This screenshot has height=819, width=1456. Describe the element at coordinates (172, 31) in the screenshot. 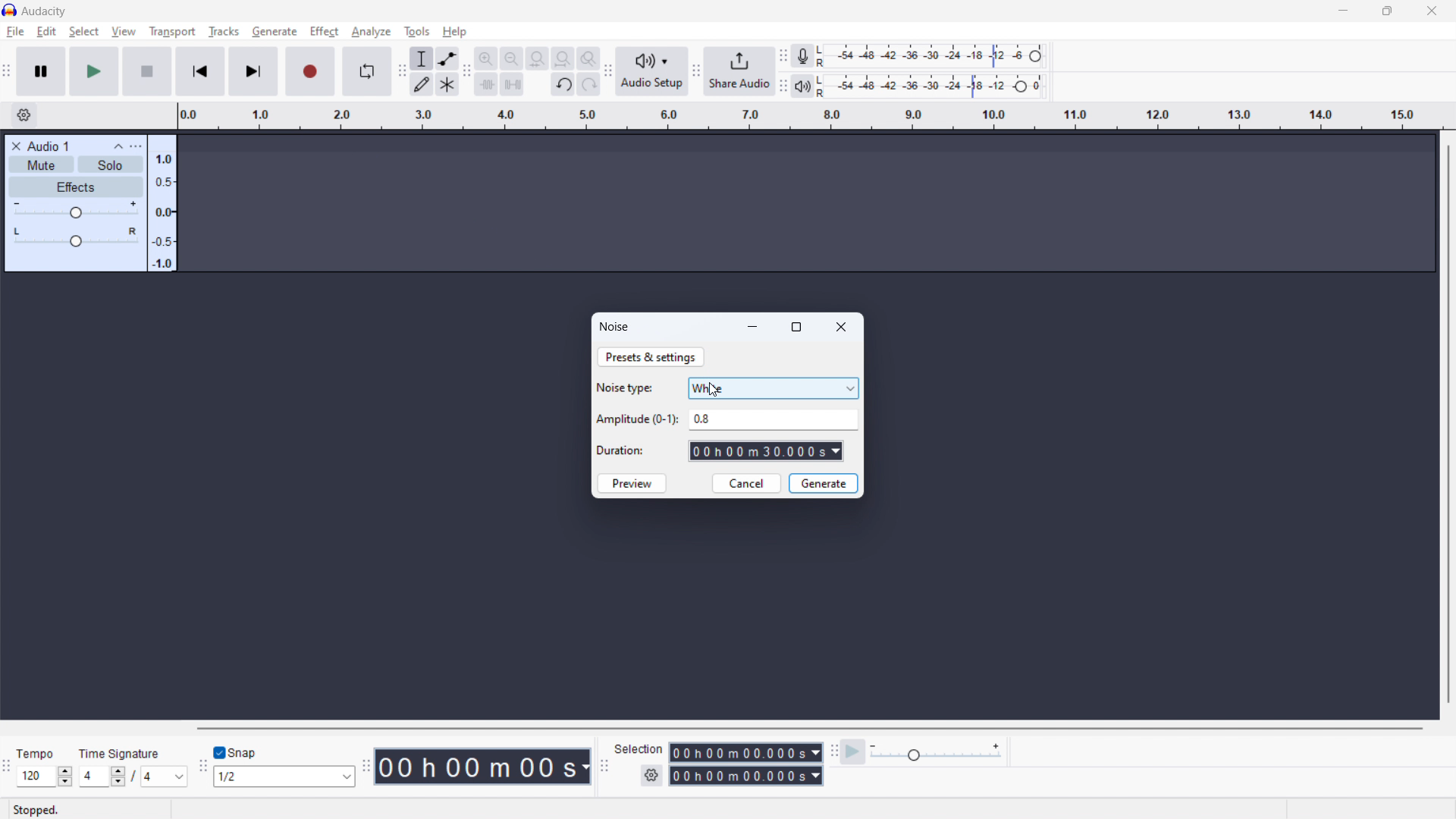

I see `transport` at that location.